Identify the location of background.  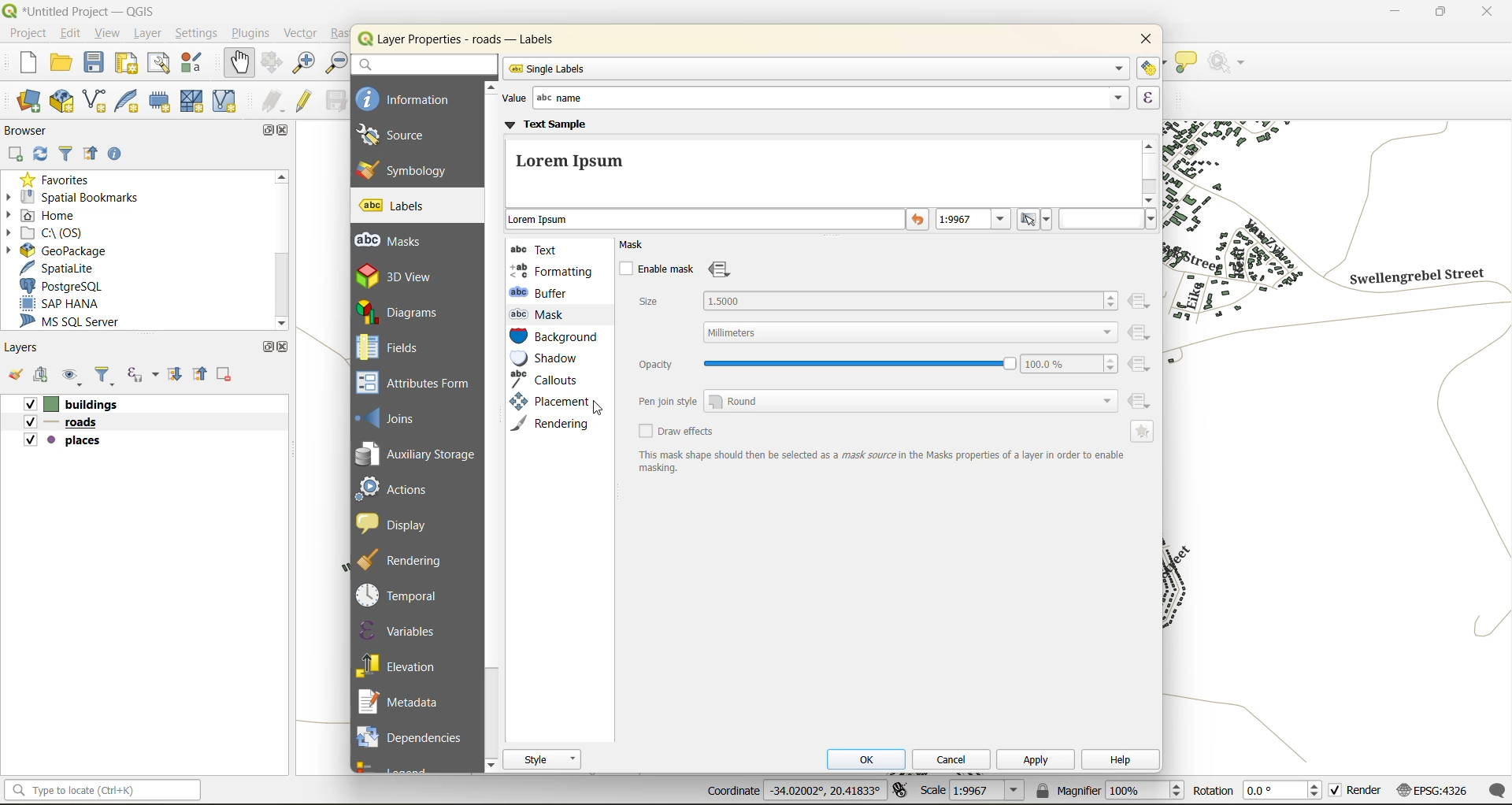
(555, 338).